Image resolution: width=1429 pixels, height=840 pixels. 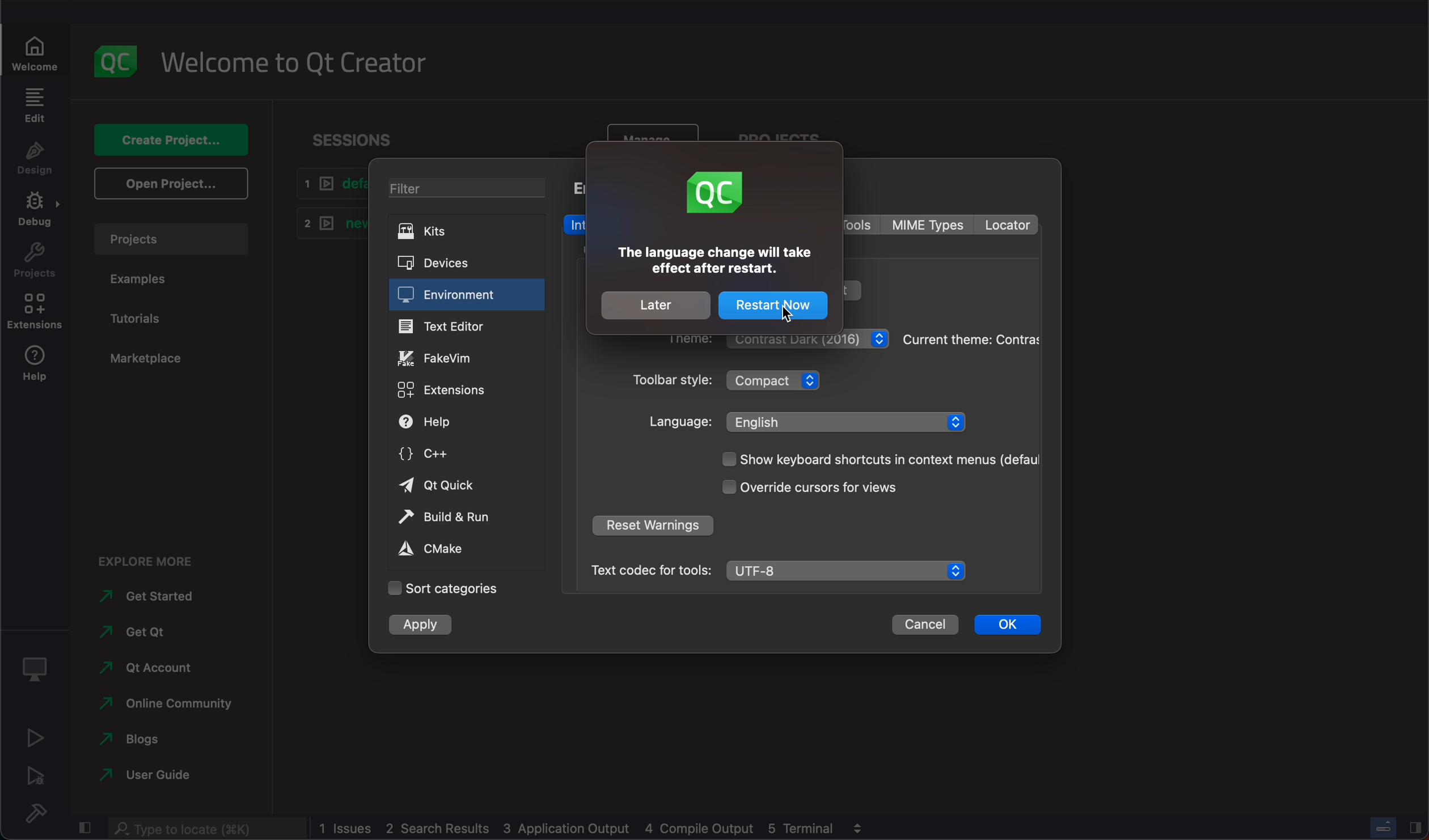 What do you see at coordinates (809, 489) in the screenshot?
I see `cursor` at bounding box center [809, 489].